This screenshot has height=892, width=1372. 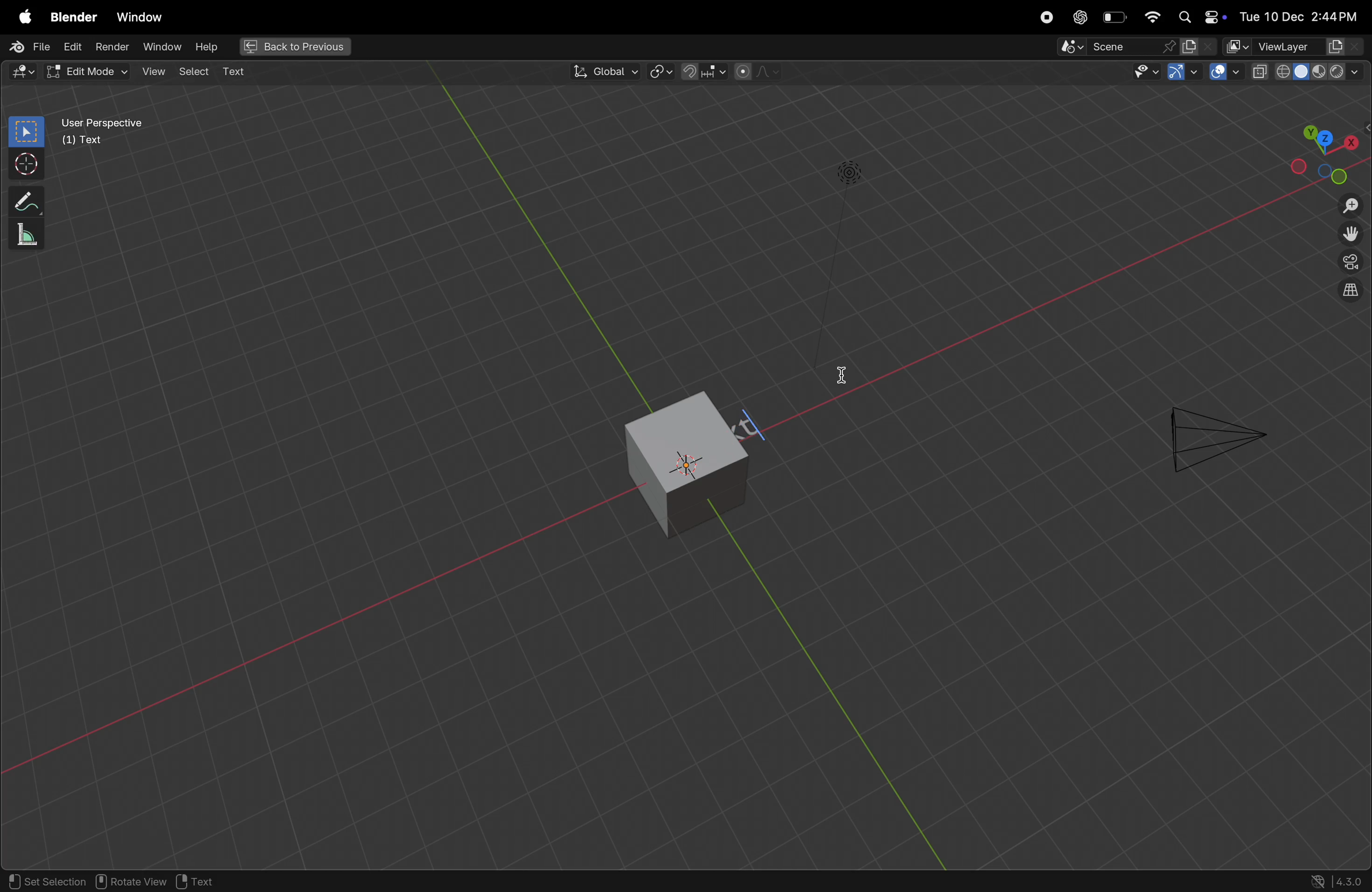 I want to click on dateand time, so click(x=1301, y=16).